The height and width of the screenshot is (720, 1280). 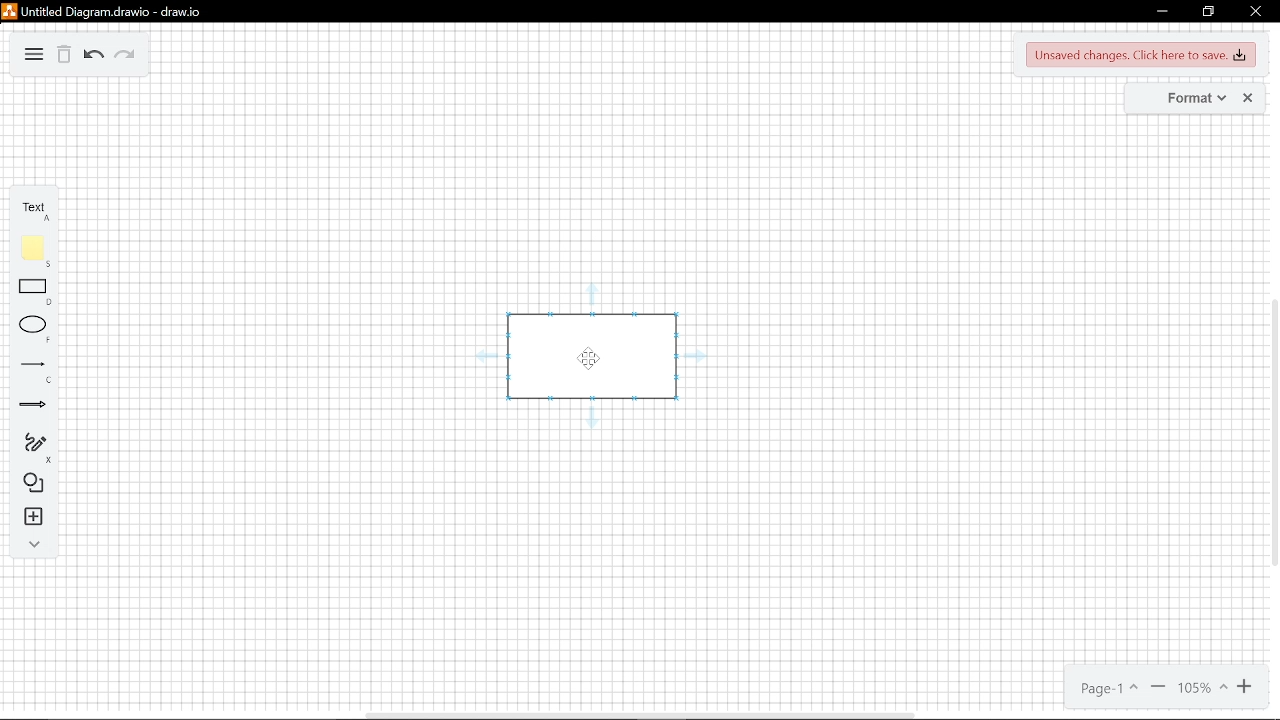 What do you see at coordinates (38, 213) in the screenshot?
I see `text` at bounding box center [38, 213].